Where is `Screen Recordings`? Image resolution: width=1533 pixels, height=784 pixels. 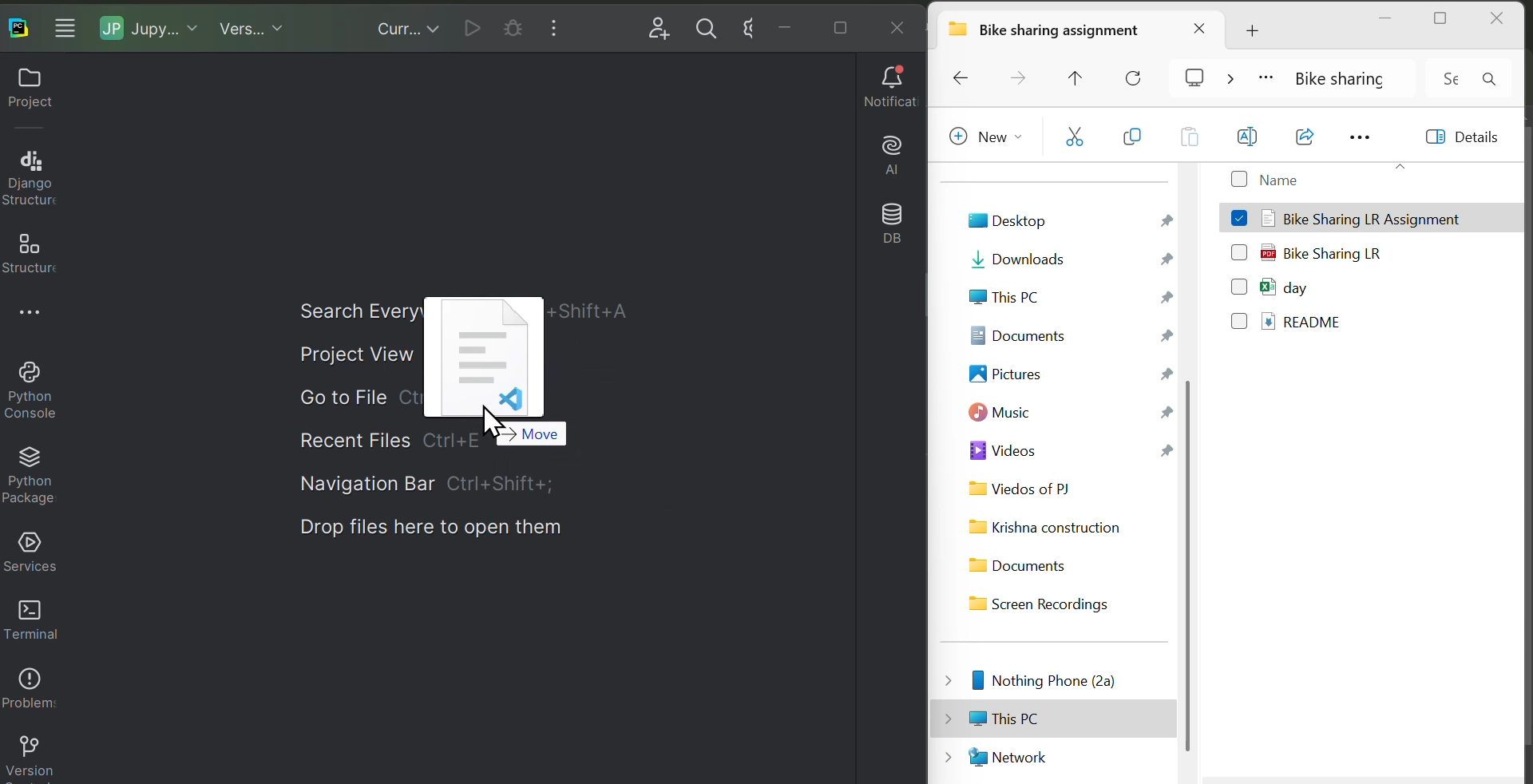
Screen Recordings is located at coordinates (1051, 603).